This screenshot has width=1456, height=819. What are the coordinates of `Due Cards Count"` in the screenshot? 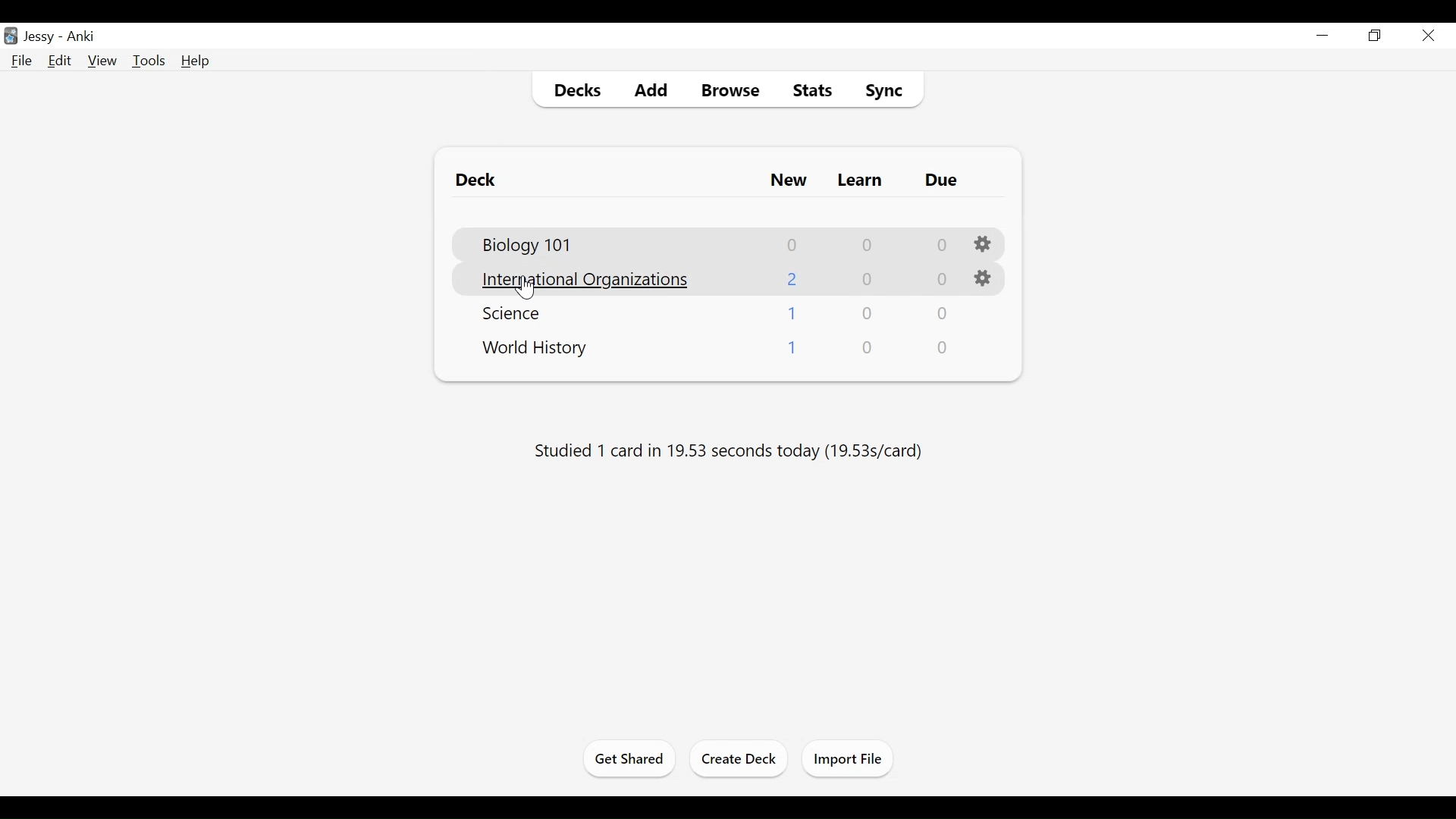 It's located at (944, 349).